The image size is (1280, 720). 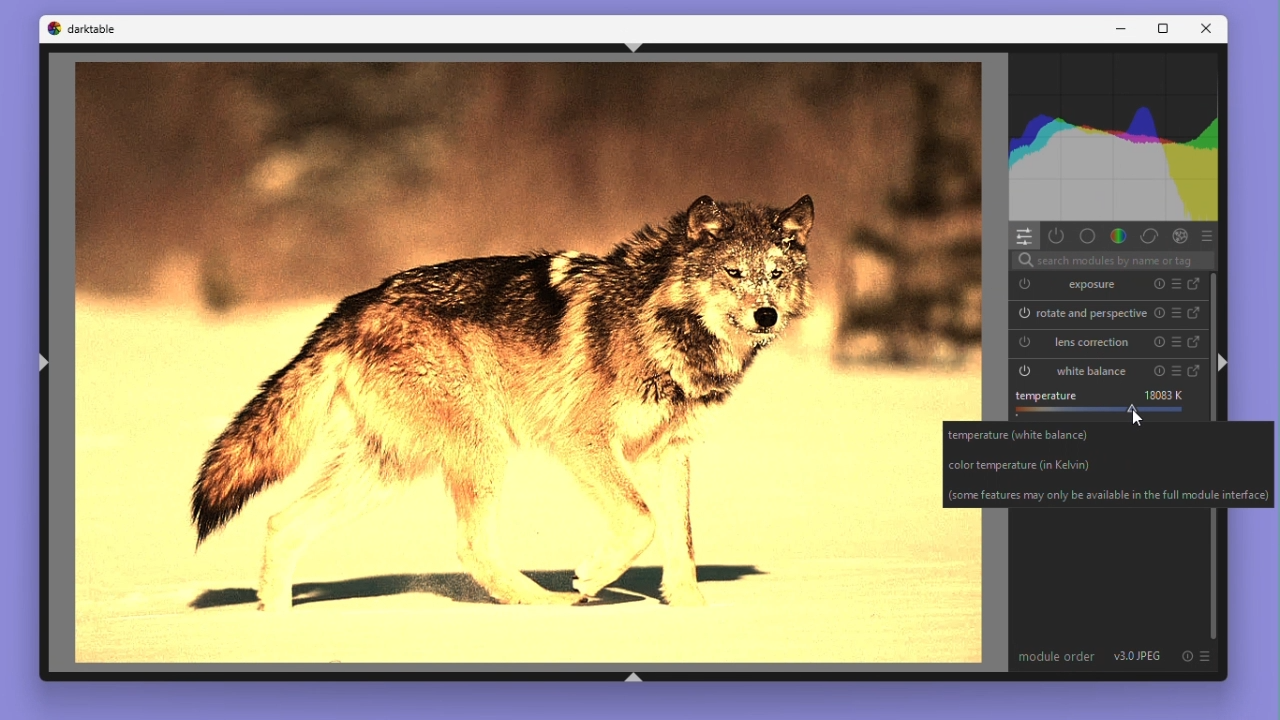 I want to click on Module order, so click(x=1057, y=657).